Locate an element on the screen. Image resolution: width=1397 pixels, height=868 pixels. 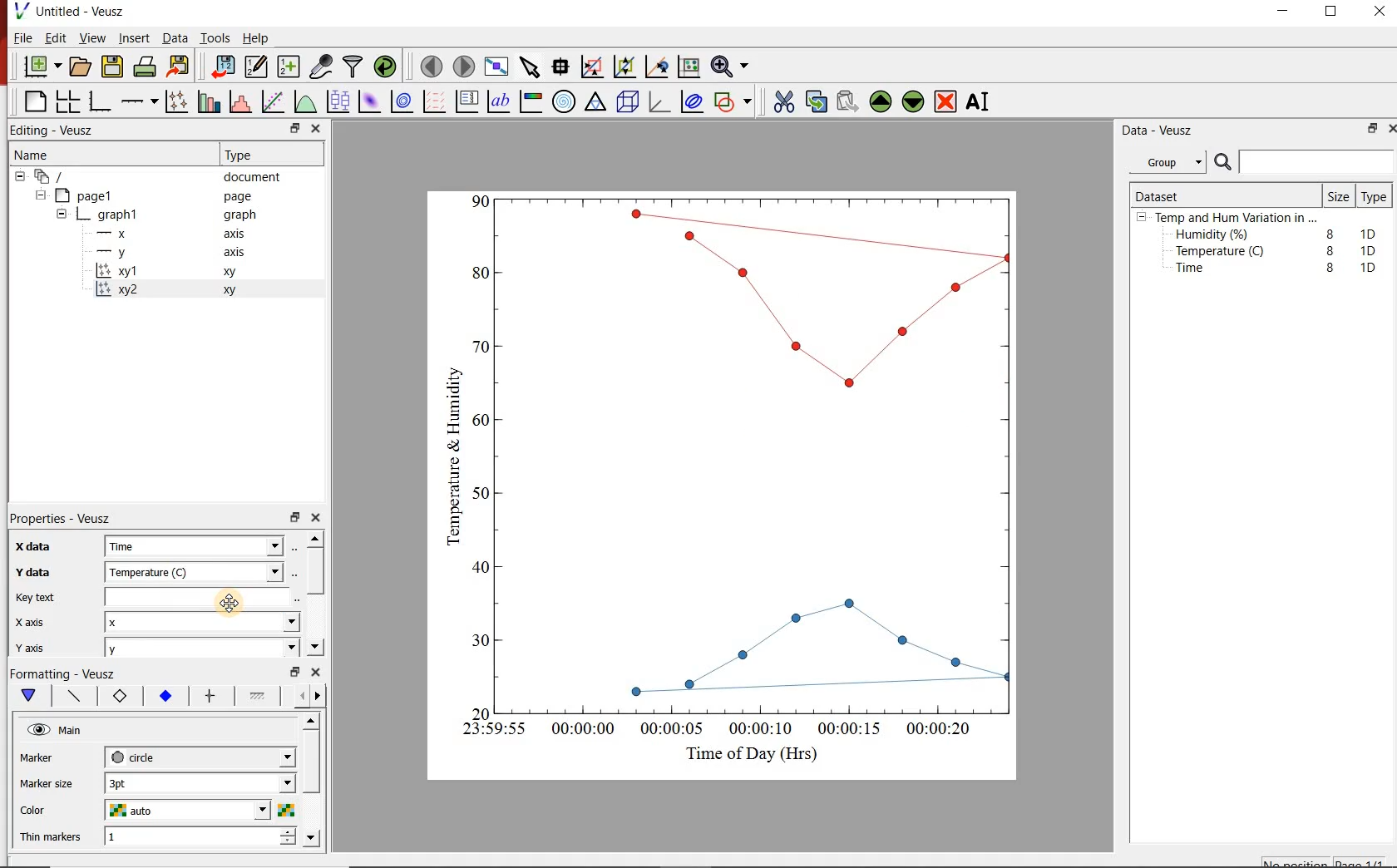
xy1 is located at coordinates (126, 271).